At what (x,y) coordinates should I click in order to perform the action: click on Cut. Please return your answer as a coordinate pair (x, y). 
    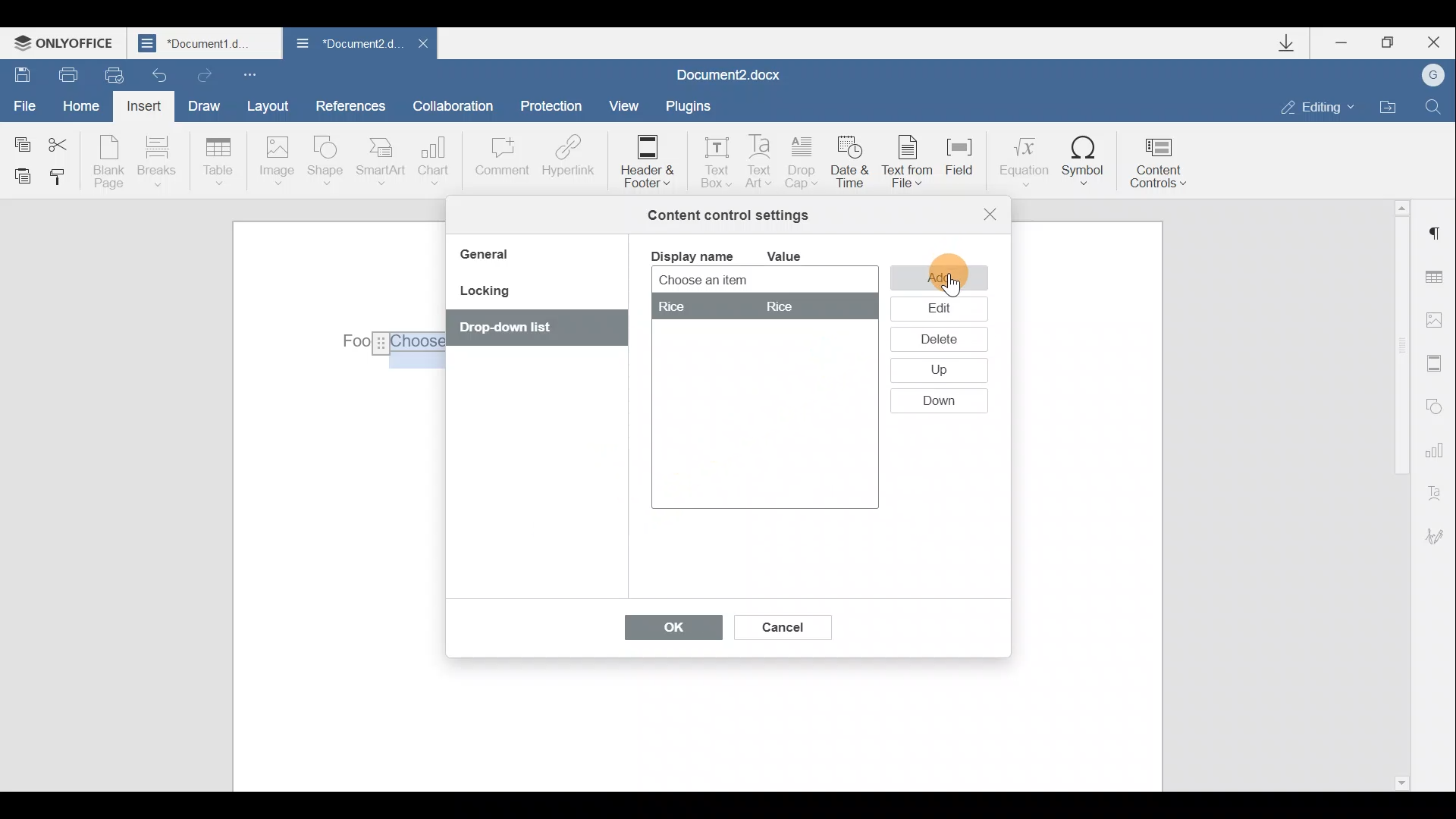
    Looking at the image, I should click on (67, 142).